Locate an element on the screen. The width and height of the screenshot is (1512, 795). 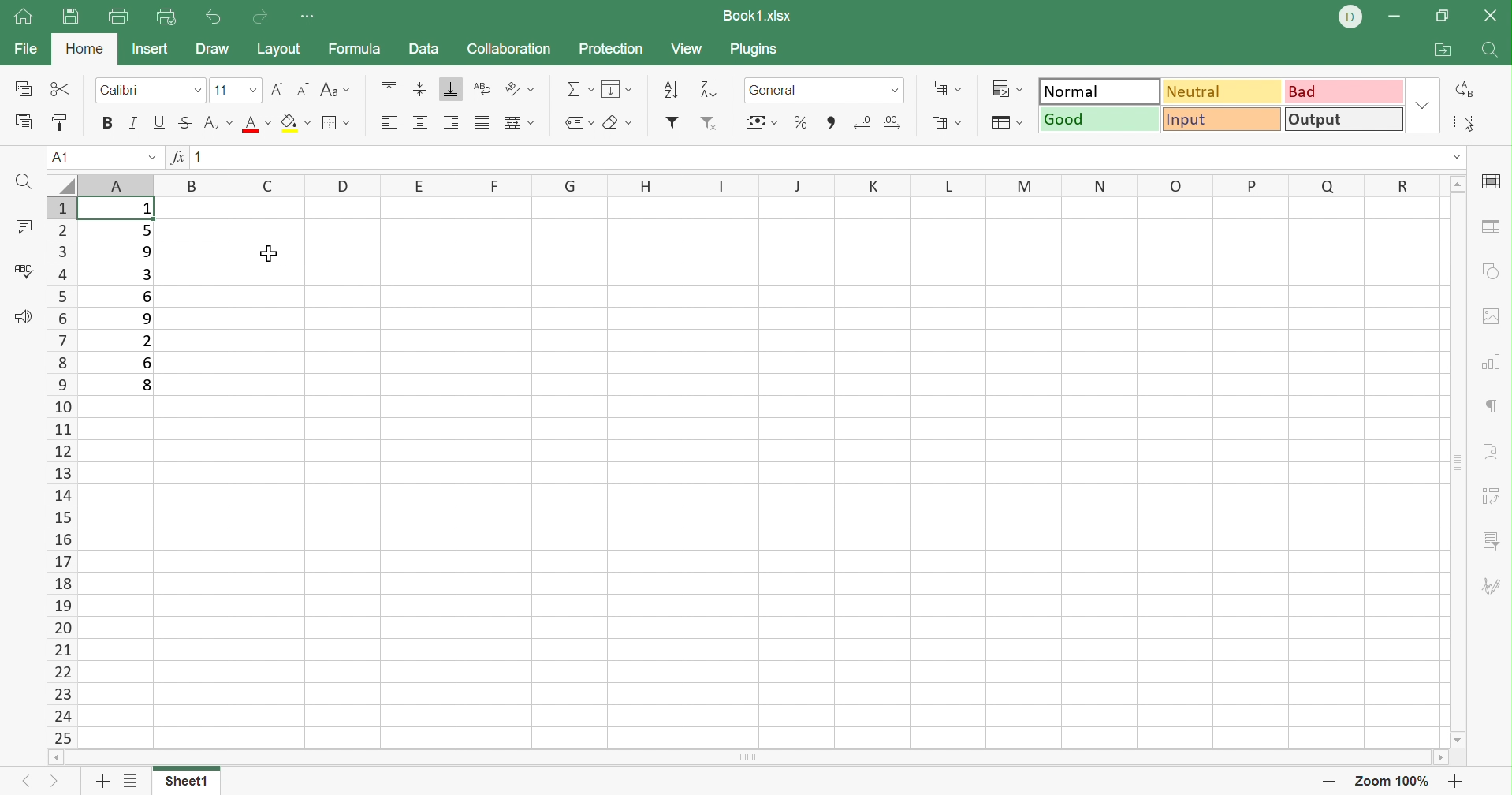
List of sheets is located at coordinates (136, 780).